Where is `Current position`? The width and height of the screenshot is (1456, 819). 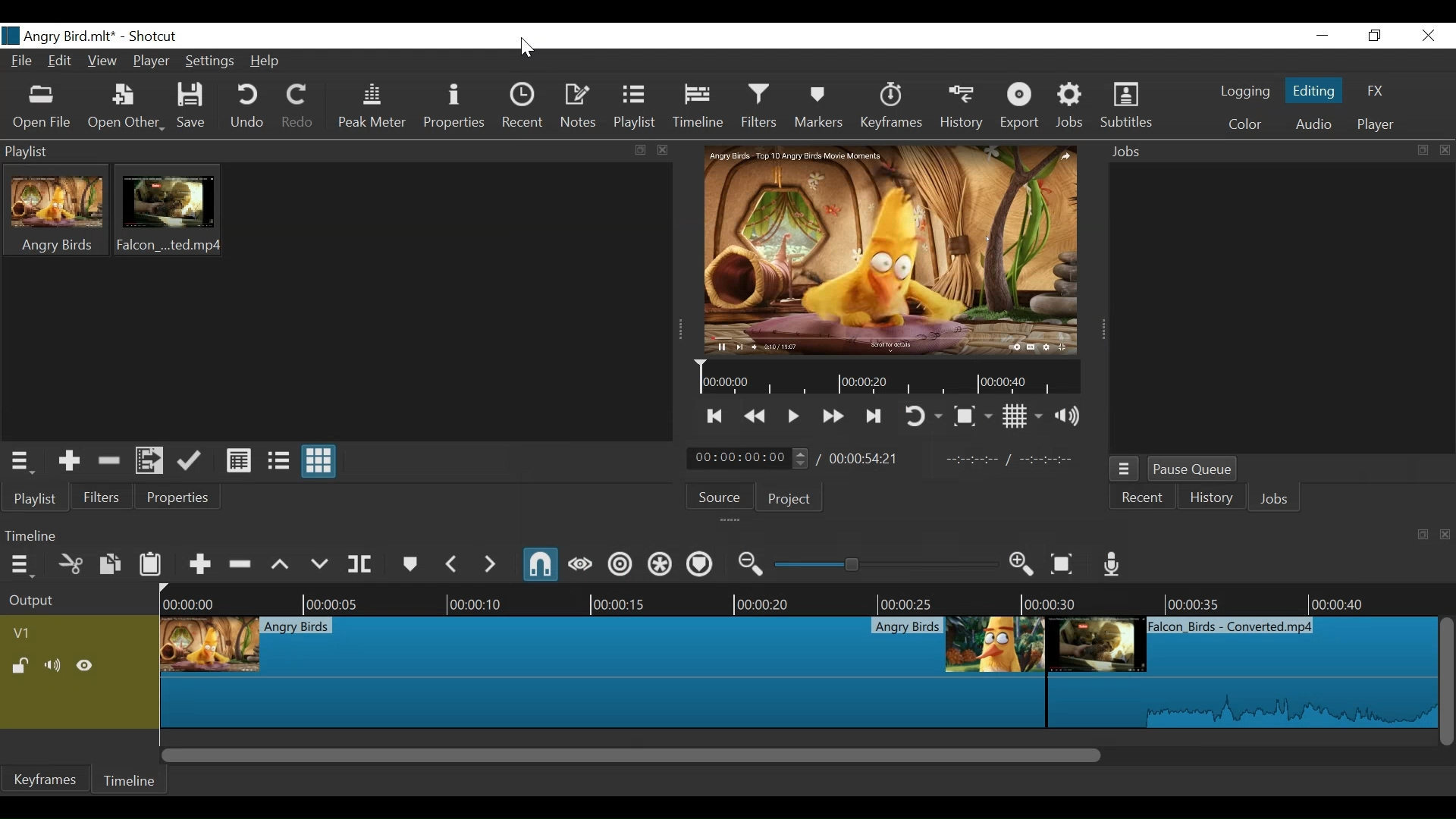
Current position is located at coordinates (748, 458).